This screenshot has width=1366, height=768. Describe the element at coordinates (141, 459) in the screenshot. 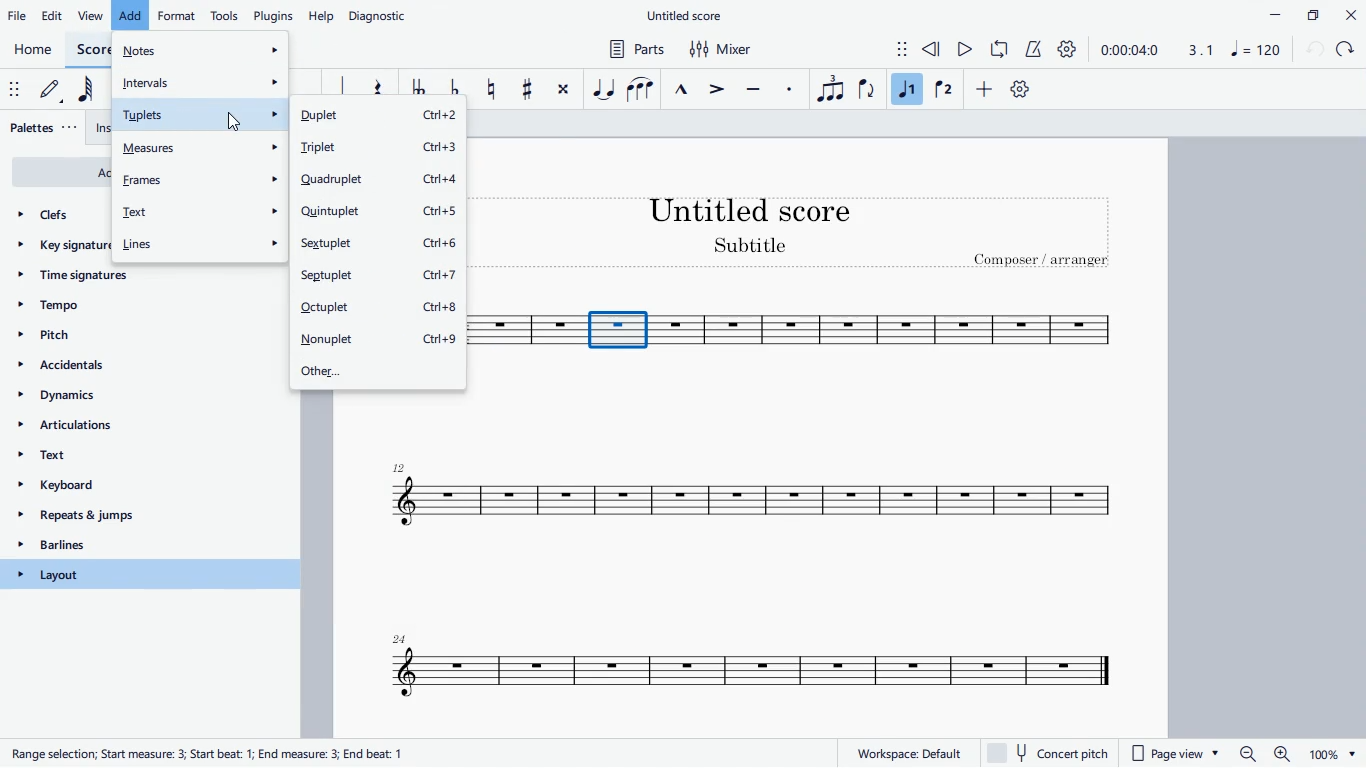

I see `text` at that location.